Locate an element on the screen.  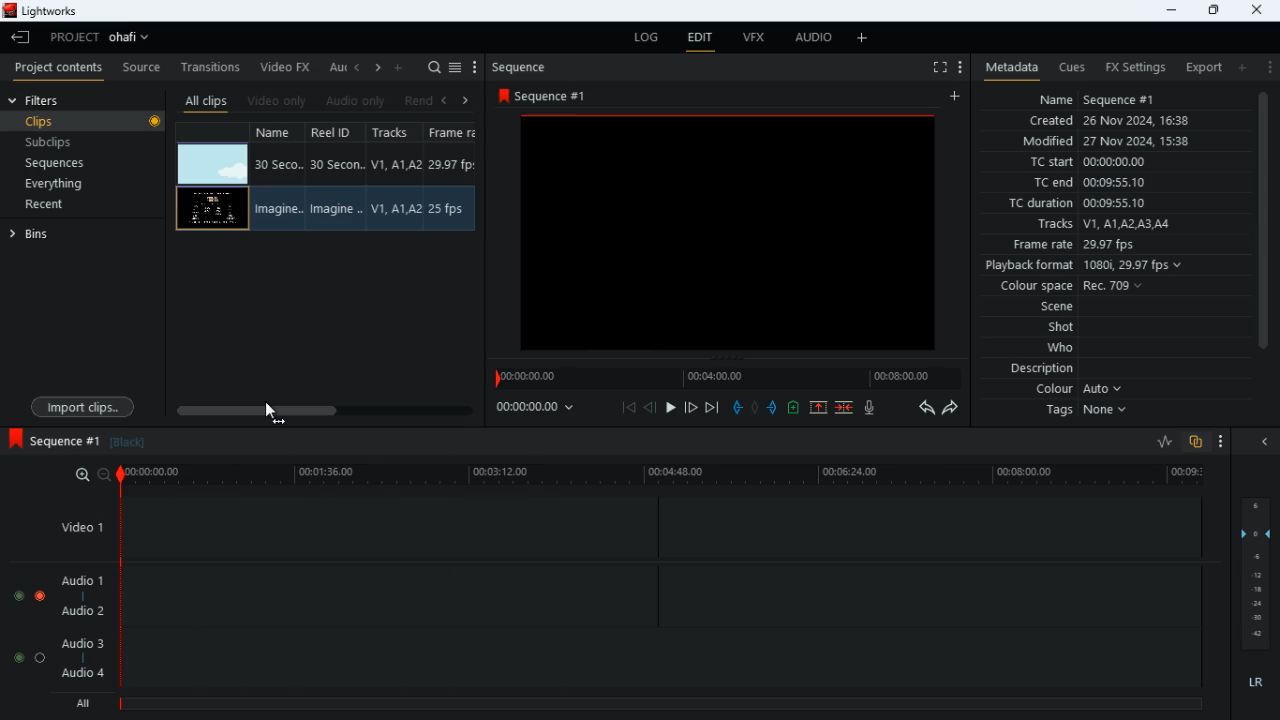
name is located at coordinates (1097, 99).